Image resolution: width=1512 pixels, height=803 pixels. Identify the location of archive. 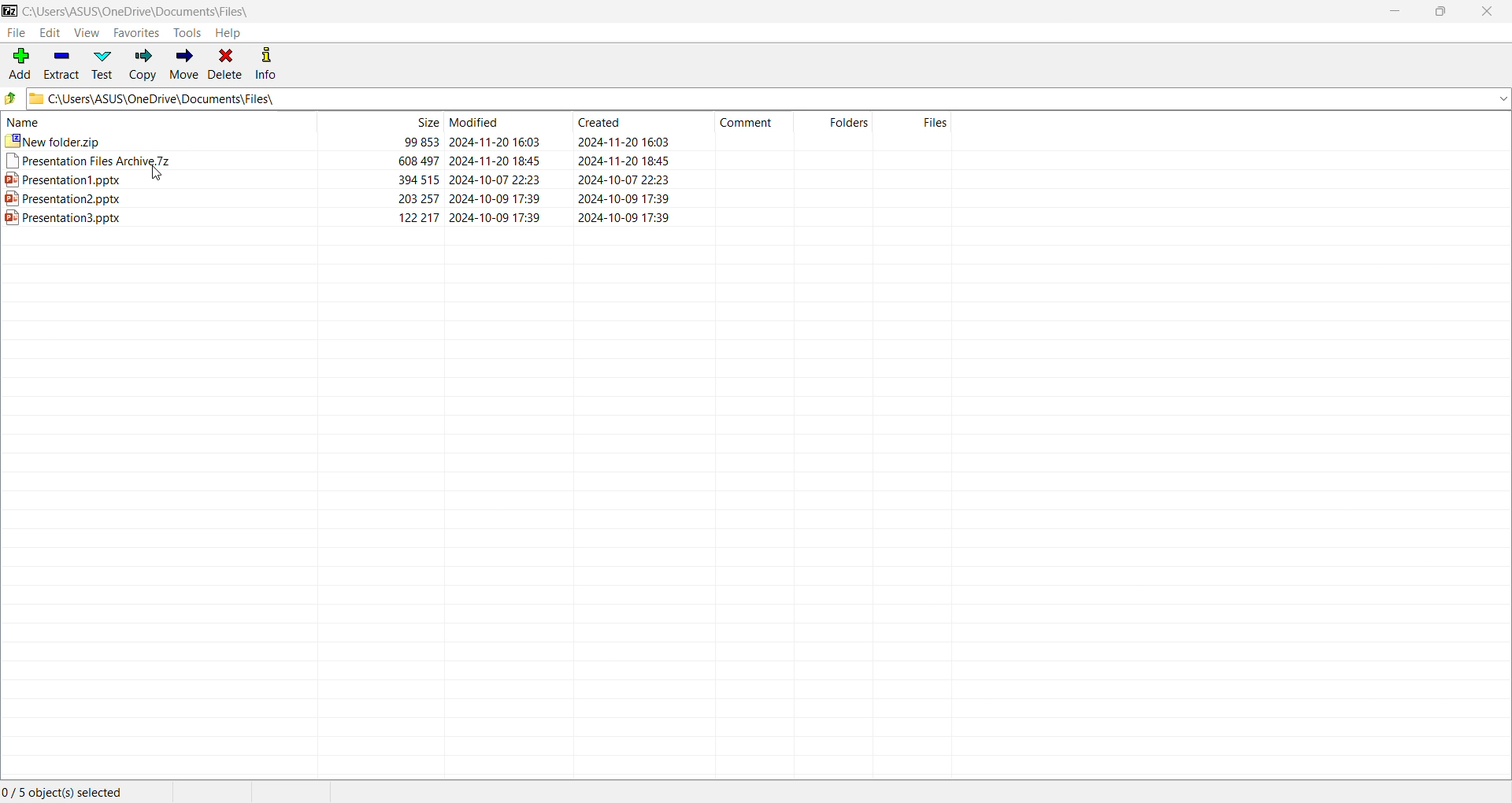
(475, 160).